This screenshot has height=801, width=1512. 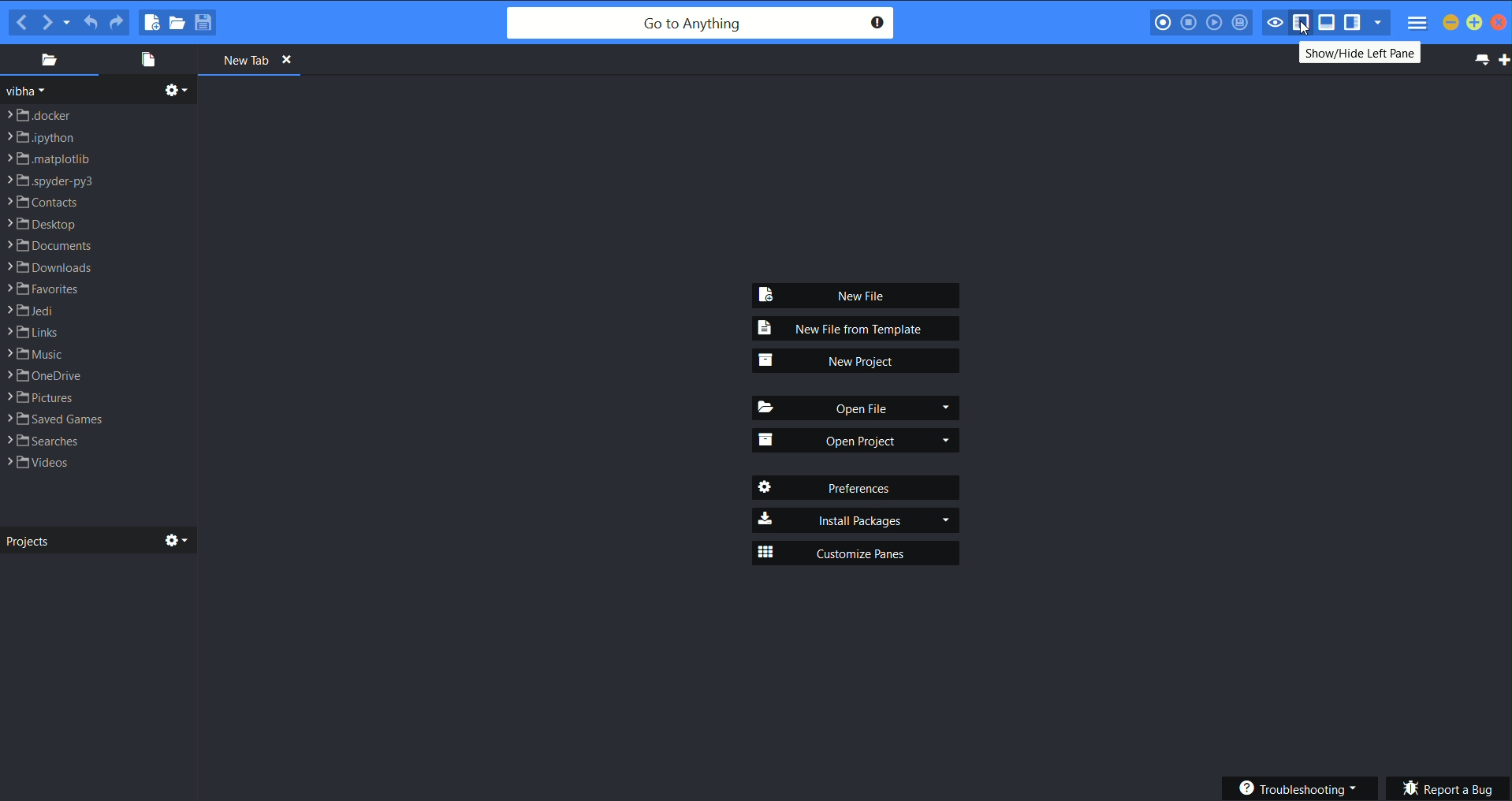 I want to click on Contacts, so click(x=39, y=203).